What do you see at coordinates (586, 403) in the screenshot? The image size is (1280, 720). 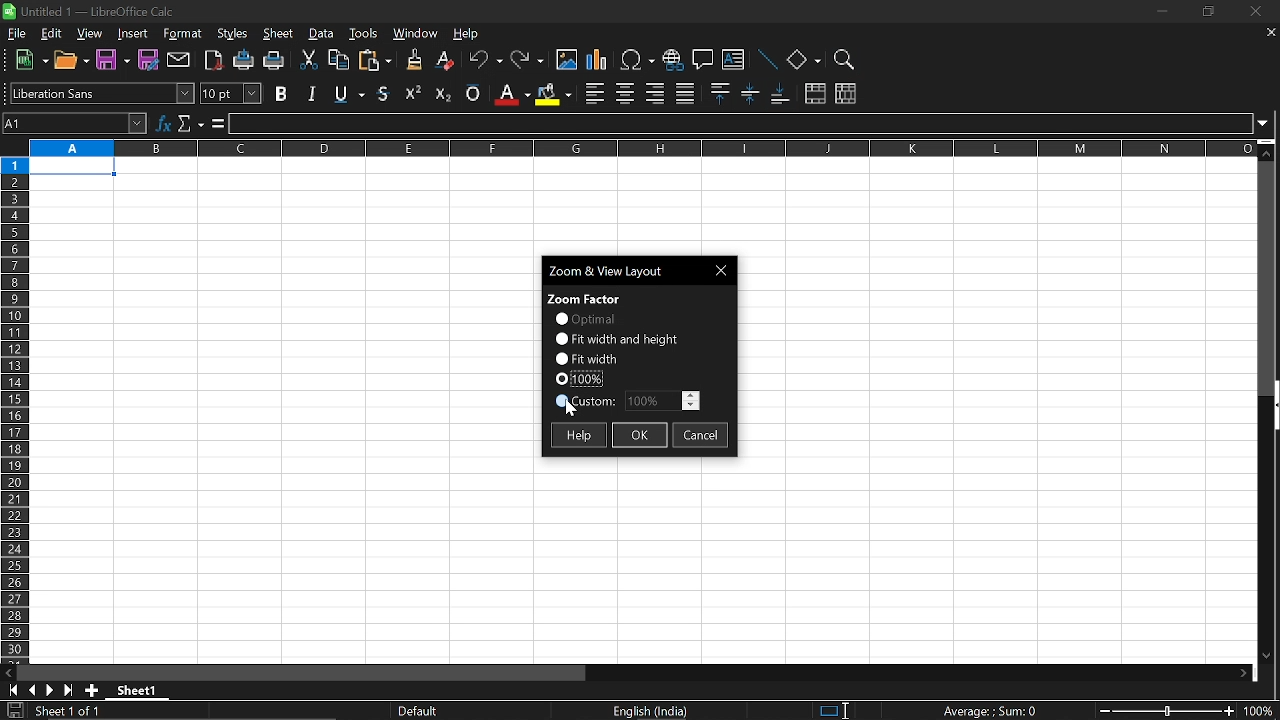 I see `custom` at bounding box center [586, 403].